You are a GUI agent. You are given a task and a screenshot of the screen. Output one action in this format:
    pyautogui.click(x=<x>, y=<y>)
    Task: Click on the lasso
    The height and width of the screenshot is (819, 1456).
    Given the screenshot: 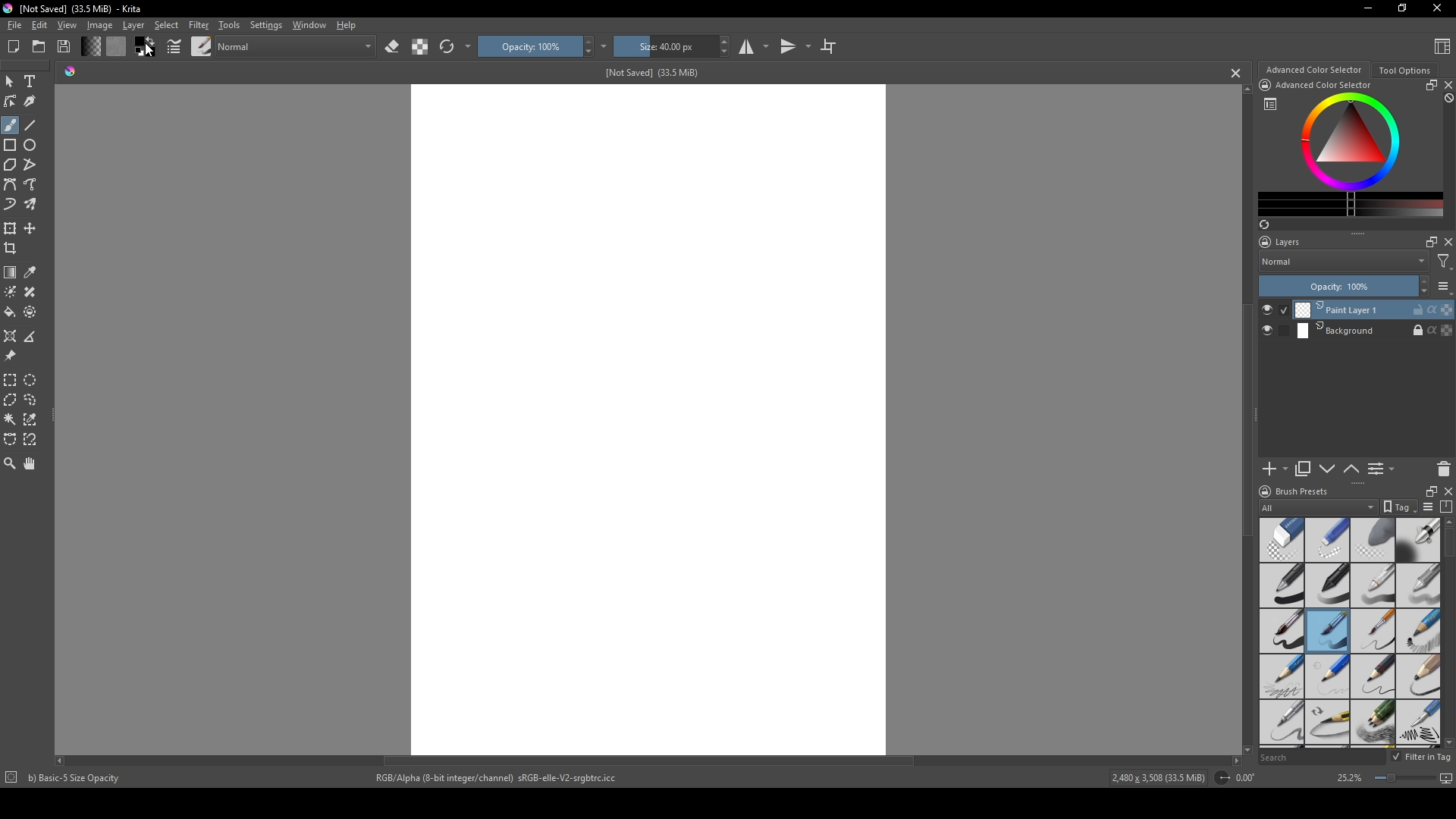 What is the action you would take?
    pyautogui.click(x=32, y=400)
    